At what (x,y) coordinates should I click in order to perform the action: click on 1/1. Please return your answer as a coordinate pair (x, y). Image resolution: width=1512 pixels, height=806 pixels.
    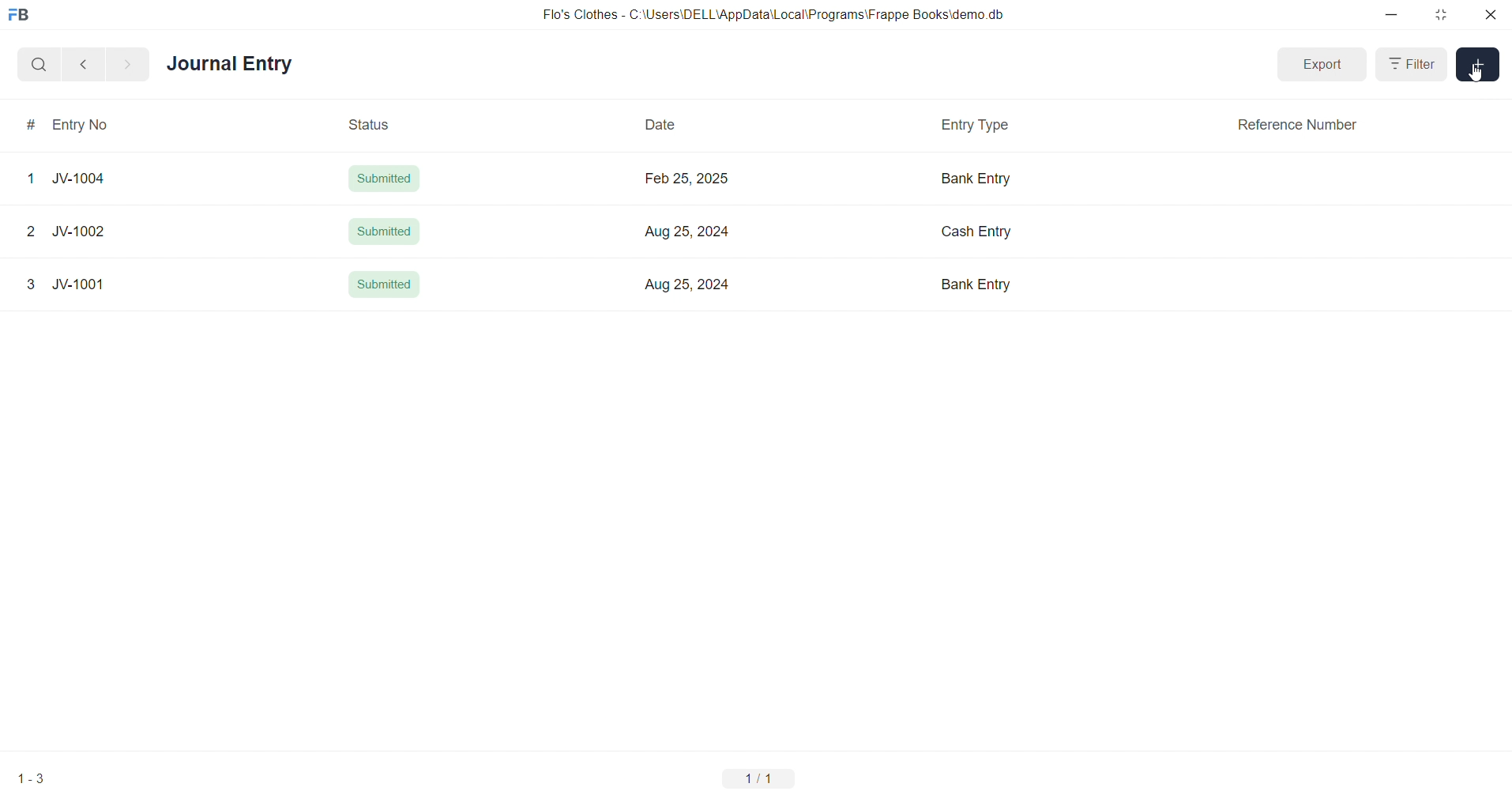
    Looking at the image, I should click on (759, 779).